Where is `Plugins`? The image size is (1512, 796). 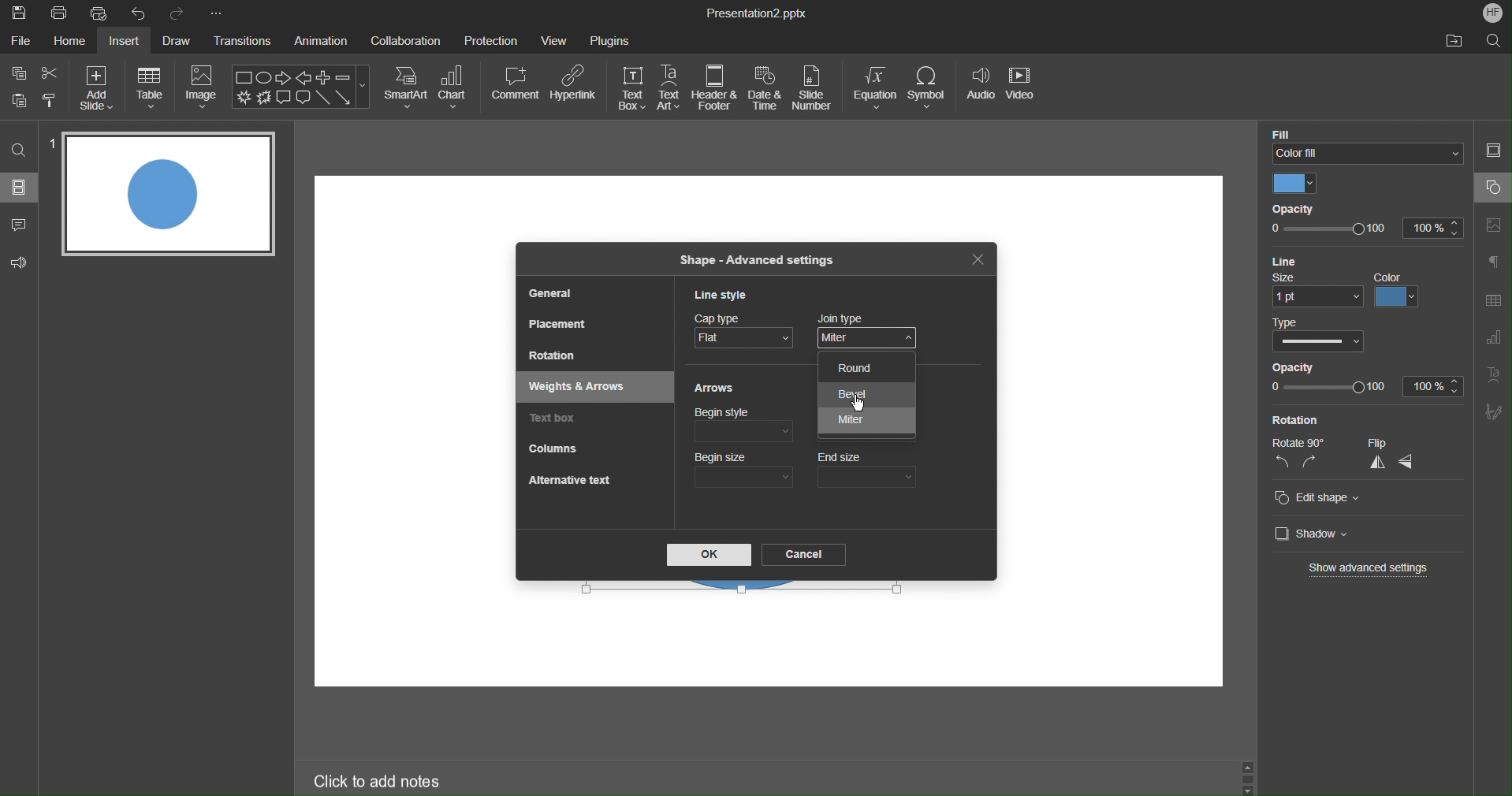
Plugins is located at coordinates (610, 38).